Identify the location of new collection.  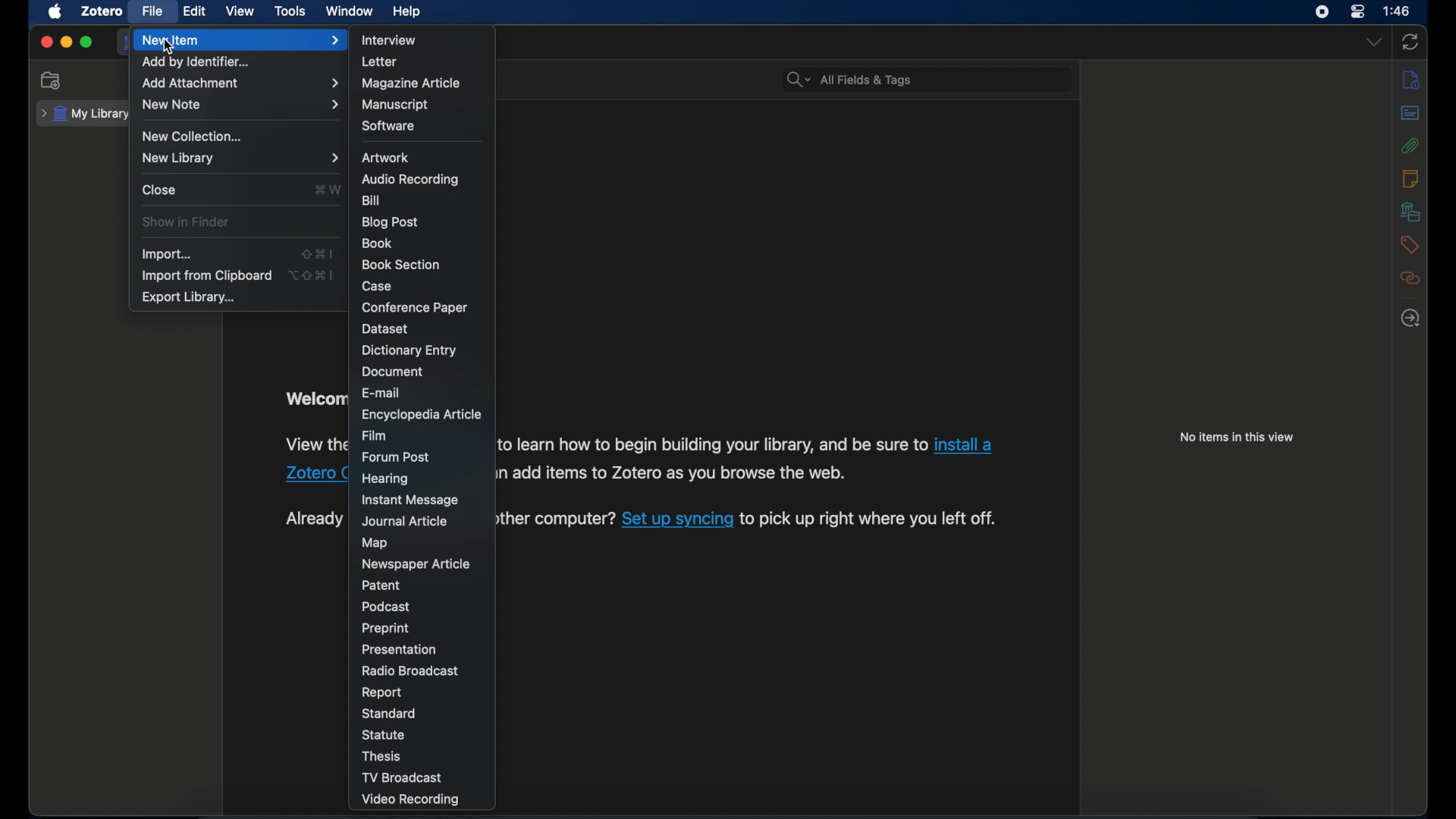
(53, 80).